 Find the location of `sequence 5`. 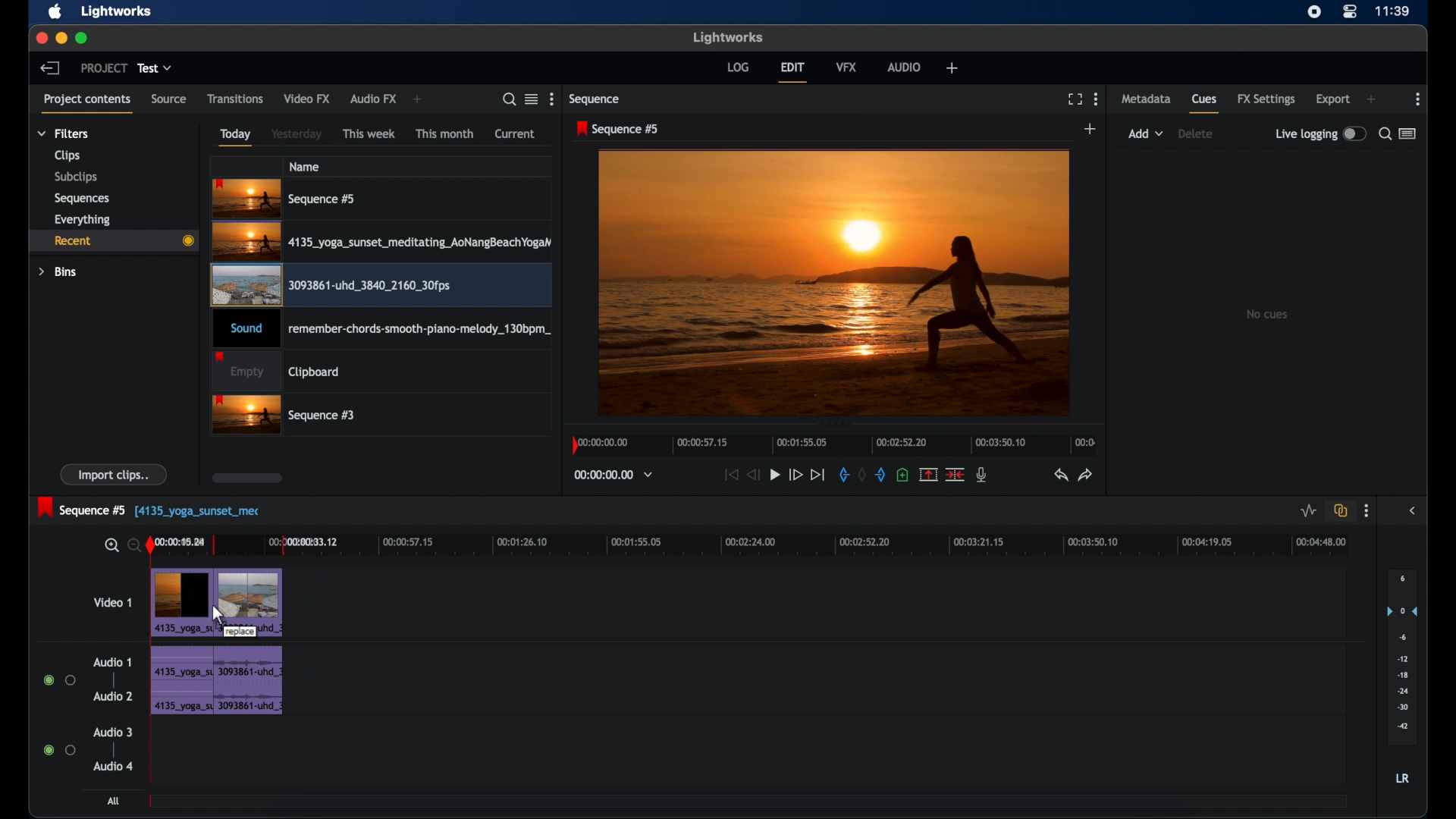

sequence 5 is located at coordinates (105, 509).